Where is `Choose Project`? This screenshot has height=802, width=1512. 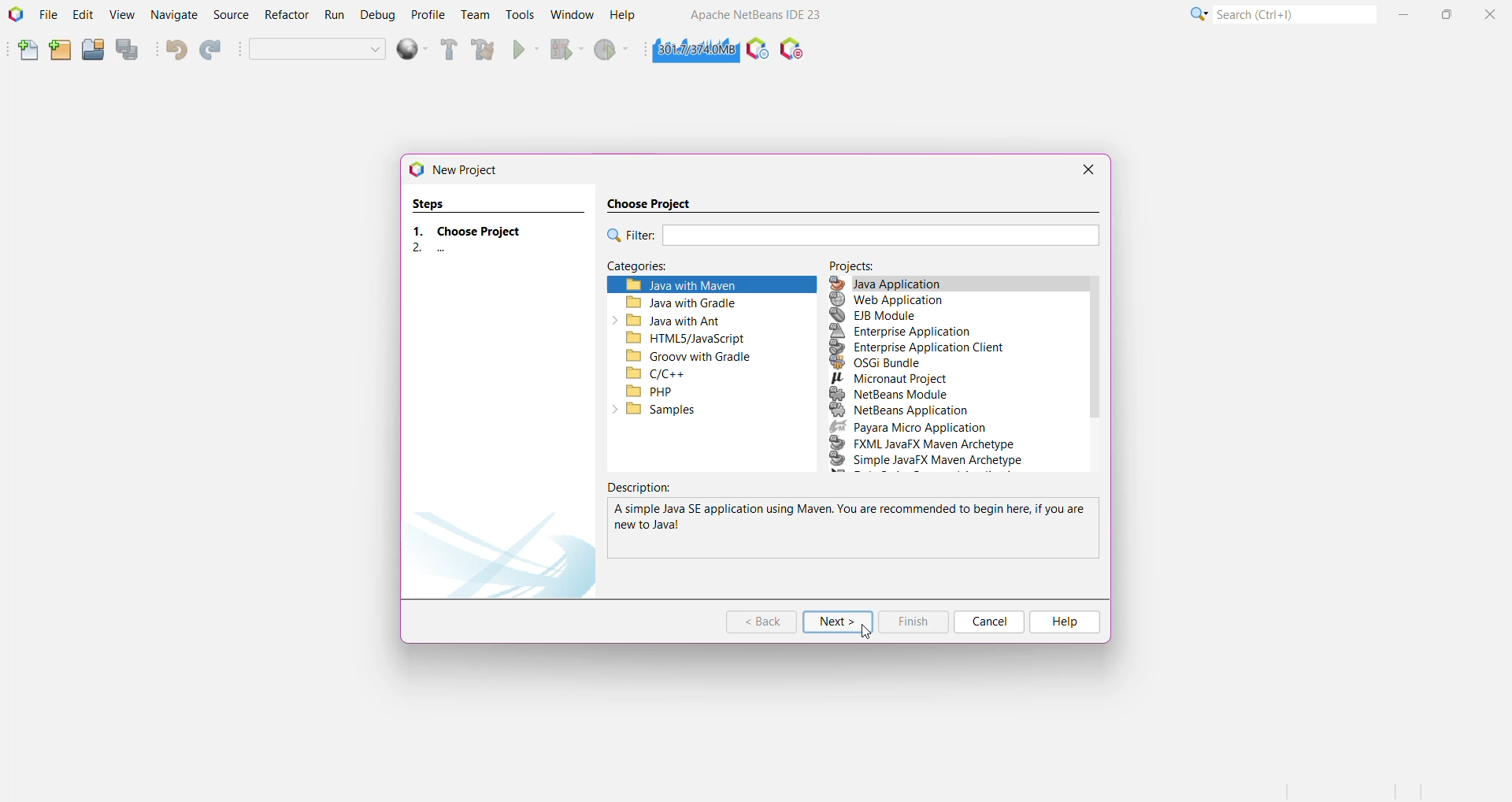 Choose Project is located at coordinates (652, 204).